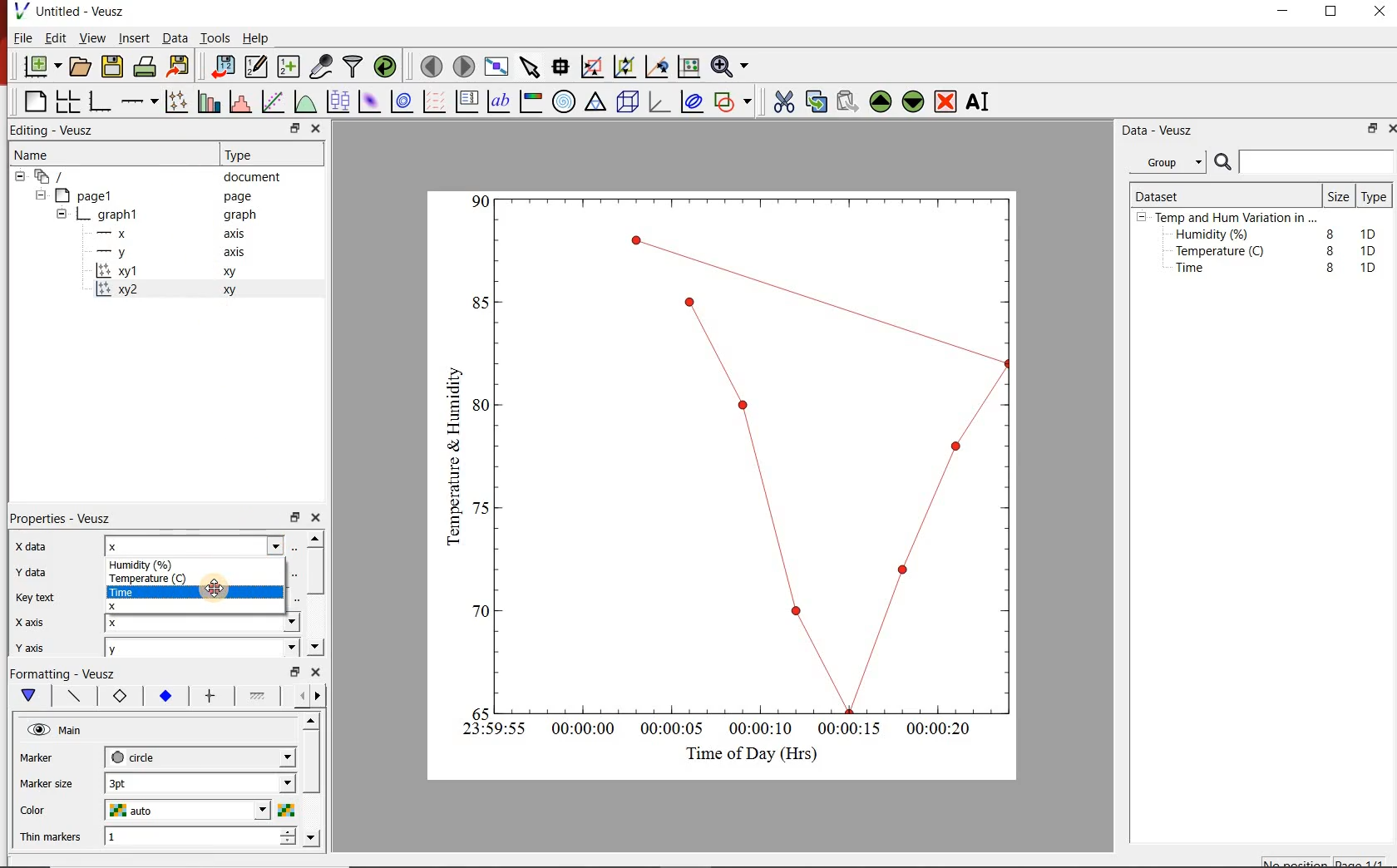 The image size is (1397, 868). Describe the element at coordinates (313, 778) in the screenshot. I see `scroll bar` at that location.